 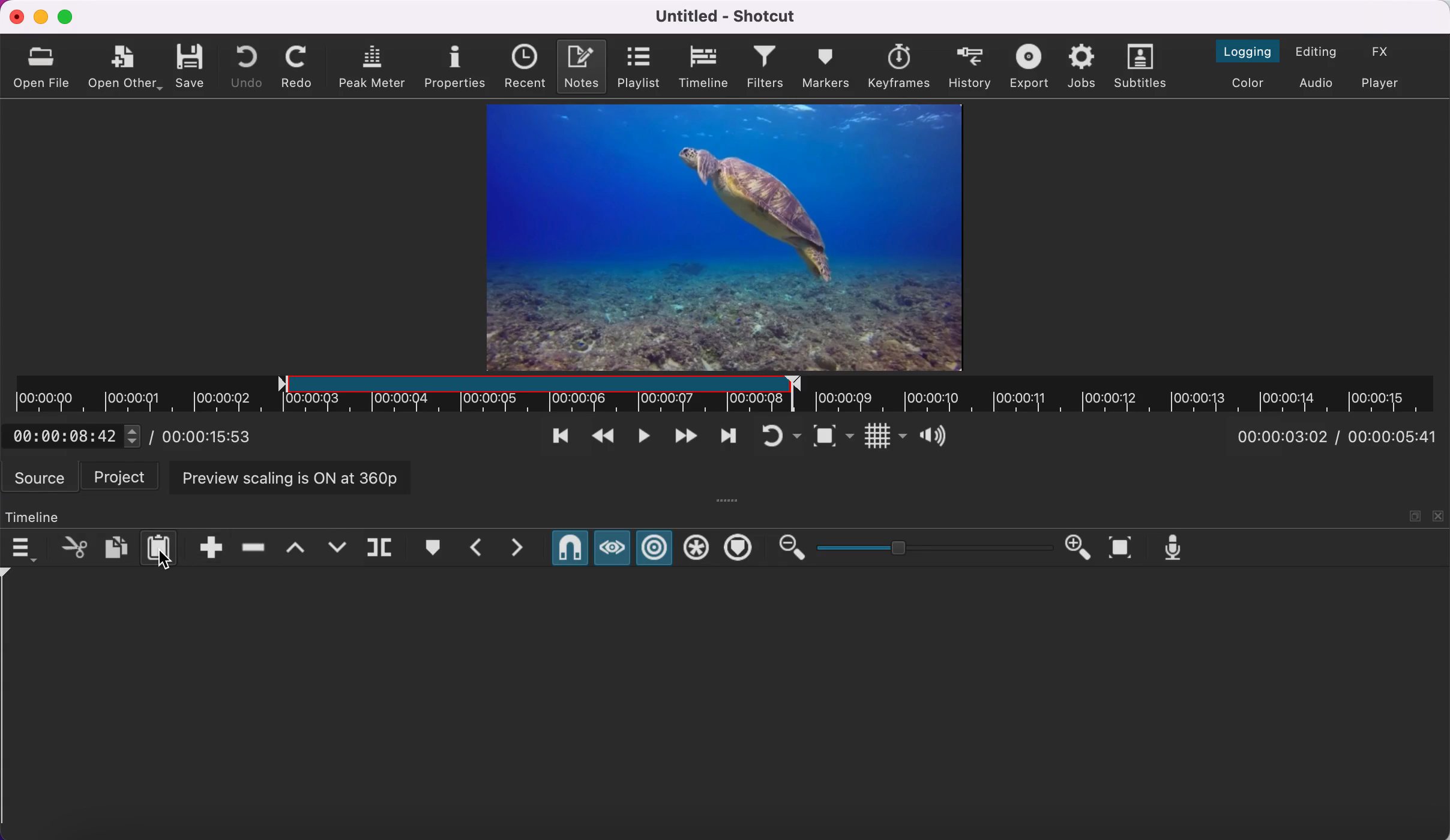 What do you see at coordinates (1083, 67) in the screenshot?
I see `jobs` at bounding box center [1083, 67].